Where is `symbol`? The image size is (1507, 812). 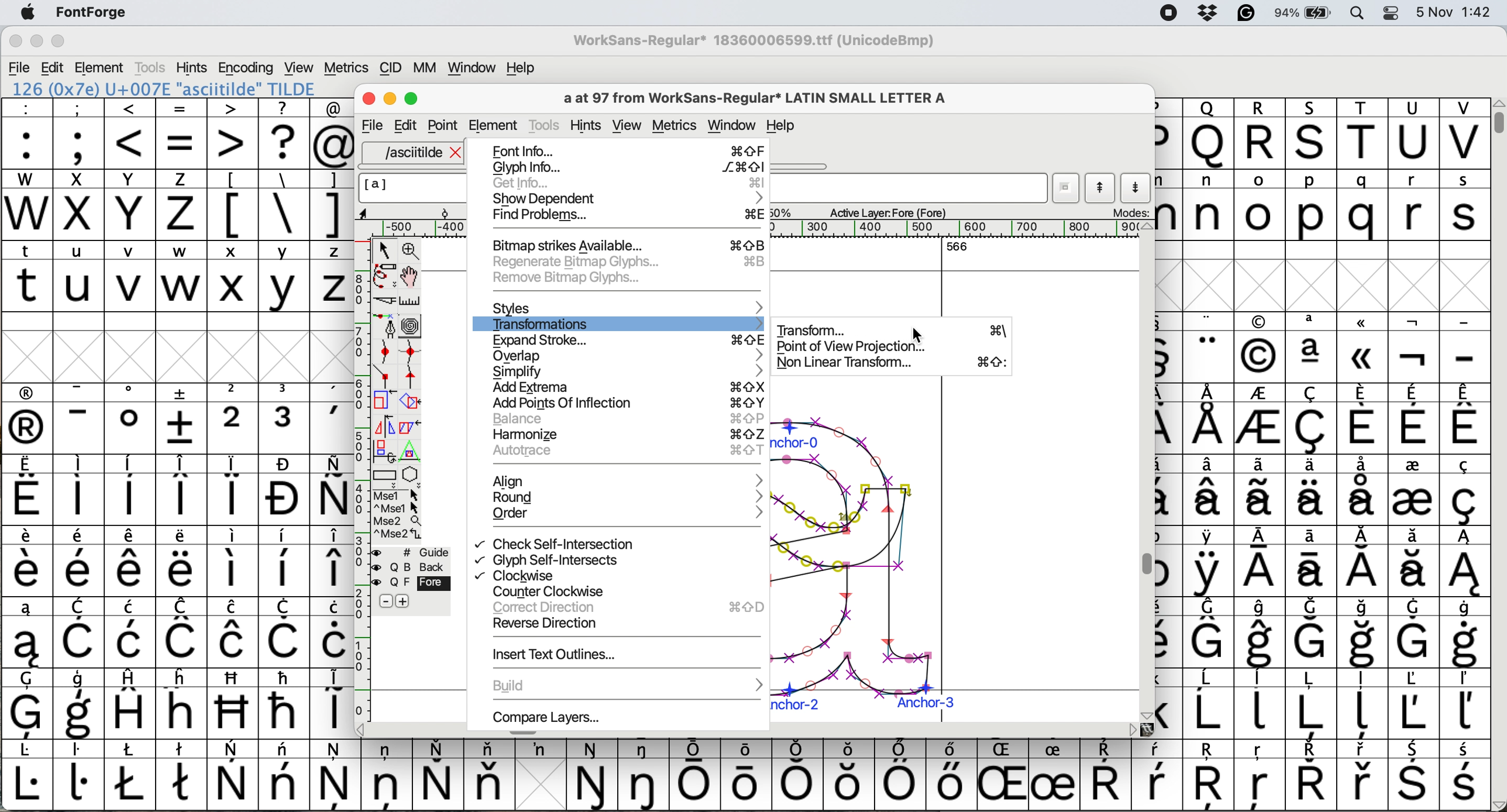
symbol is located at coordinates (900, 775).